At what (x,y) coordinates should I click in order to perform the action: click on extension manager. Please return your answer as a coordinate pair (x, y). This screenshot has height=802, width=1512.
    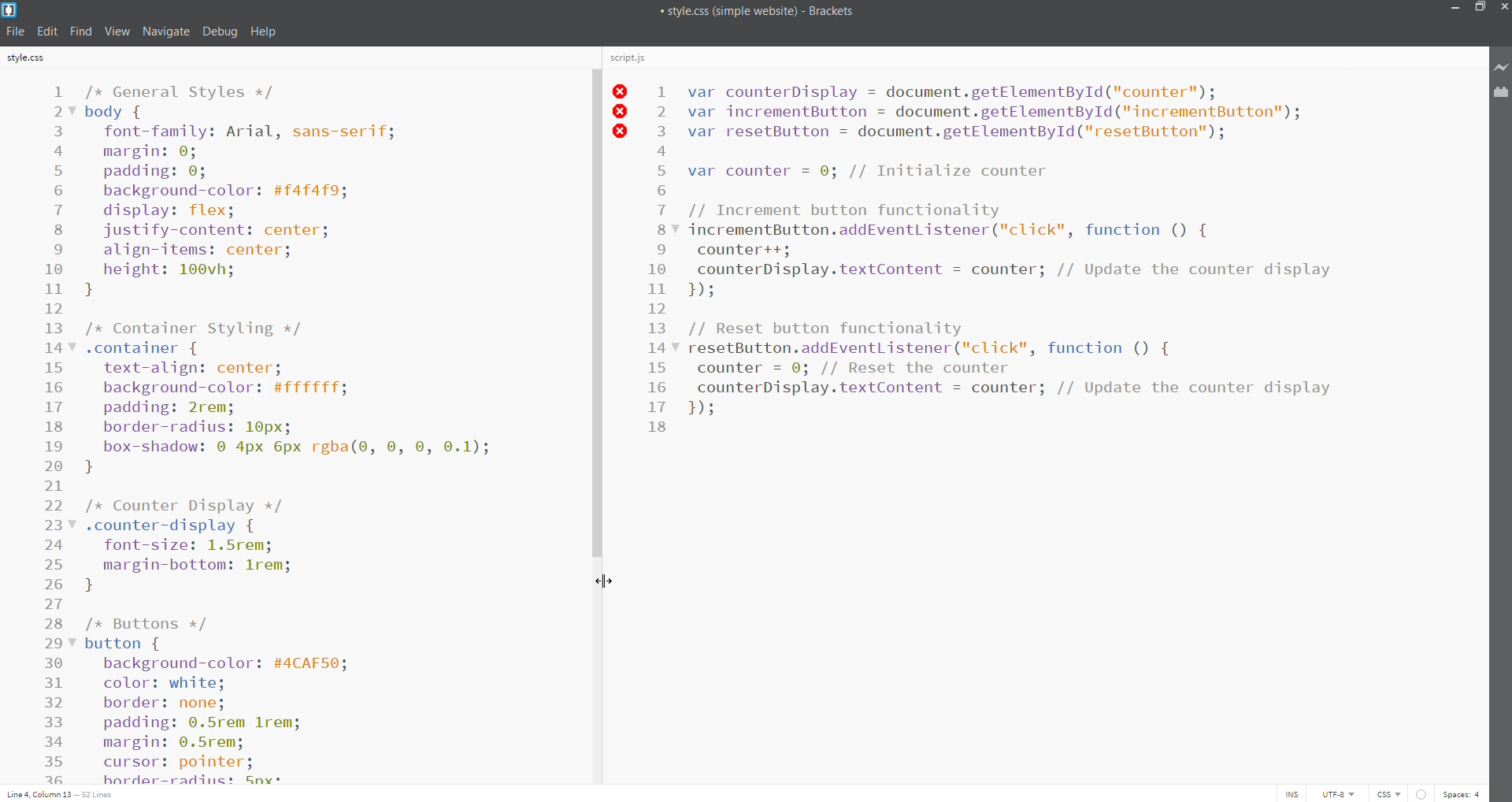
    Looking at the image, I should click on (1499, 94).